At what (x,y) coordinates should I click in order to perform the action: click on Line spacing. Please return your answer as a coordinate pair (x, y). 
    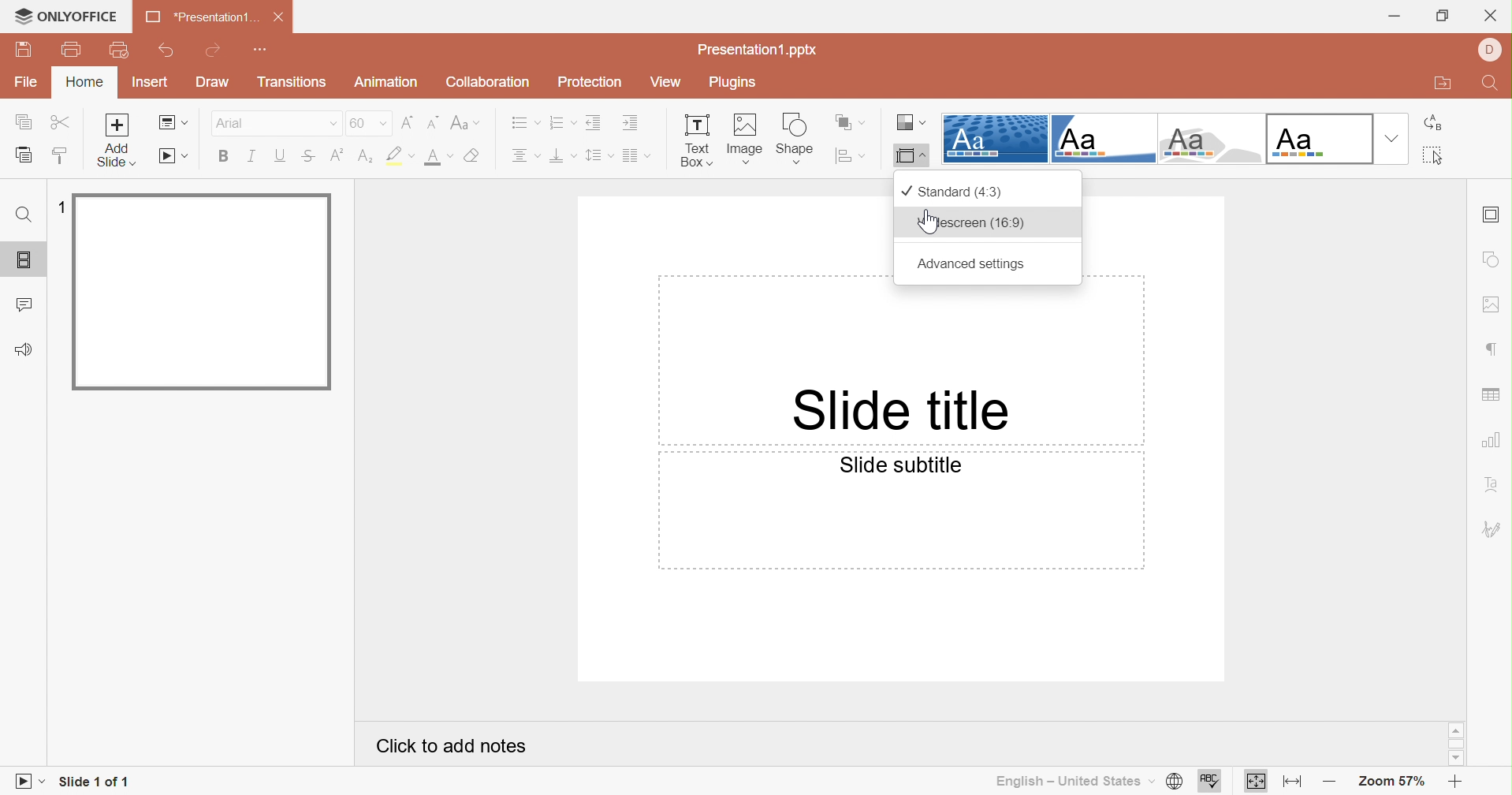
    Looking at the image, I should click on (595, 156).